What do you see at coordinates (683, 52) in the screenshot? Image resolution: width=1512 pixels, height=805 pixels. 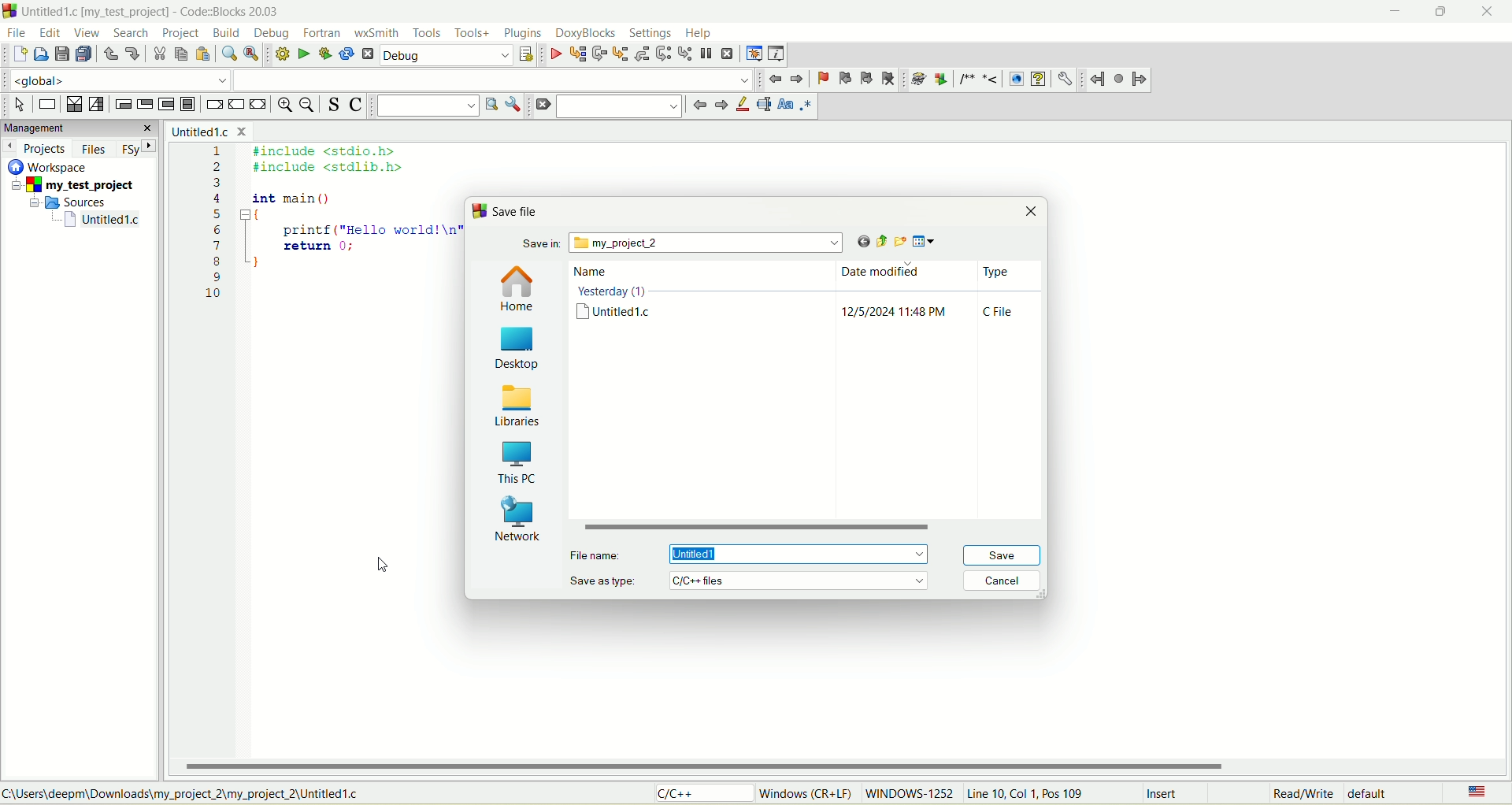 I see `step into instruction` at bounding box center [683, 52].